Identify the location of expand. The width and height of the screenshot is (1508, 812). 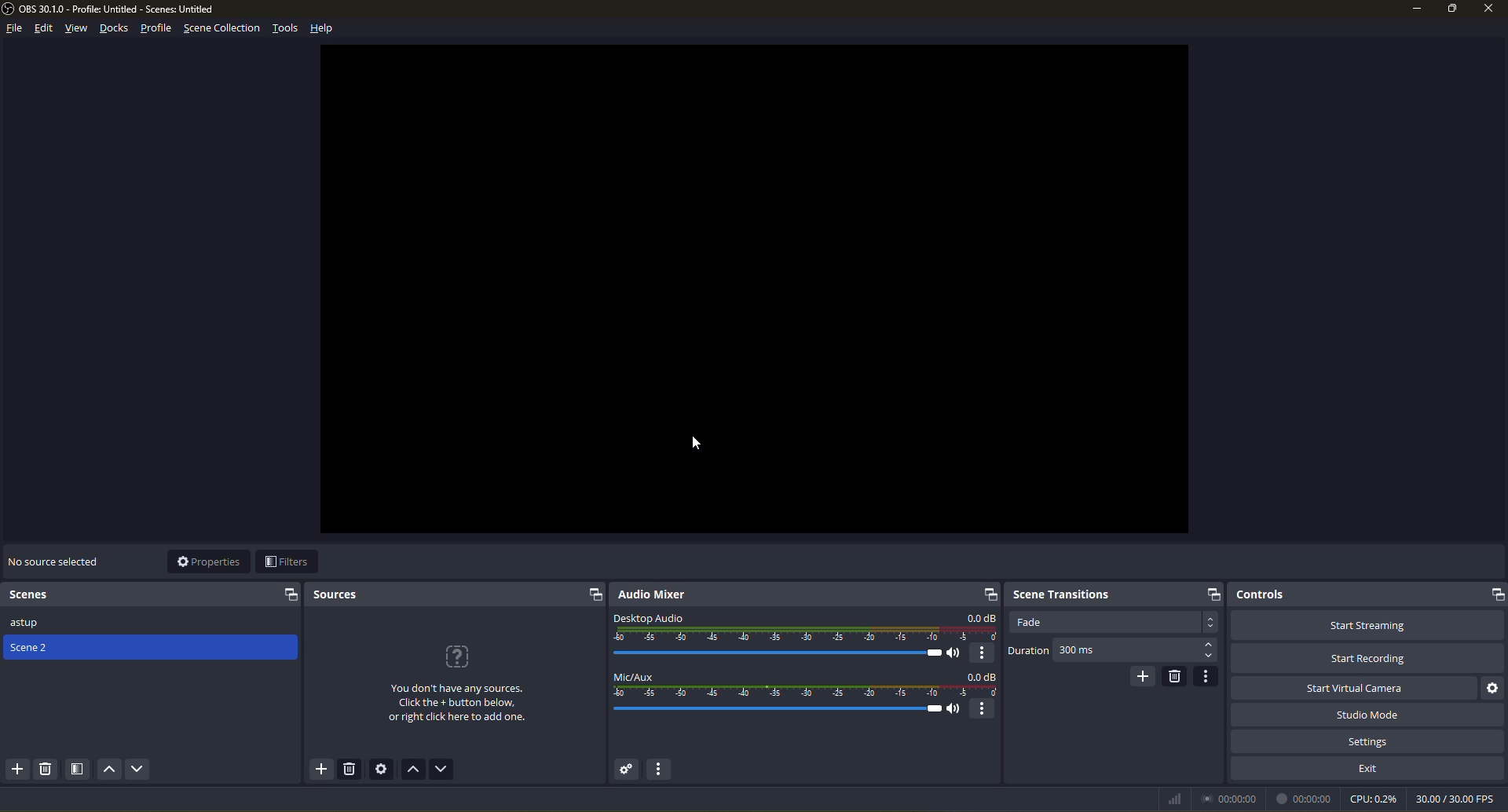
(1495, 593).